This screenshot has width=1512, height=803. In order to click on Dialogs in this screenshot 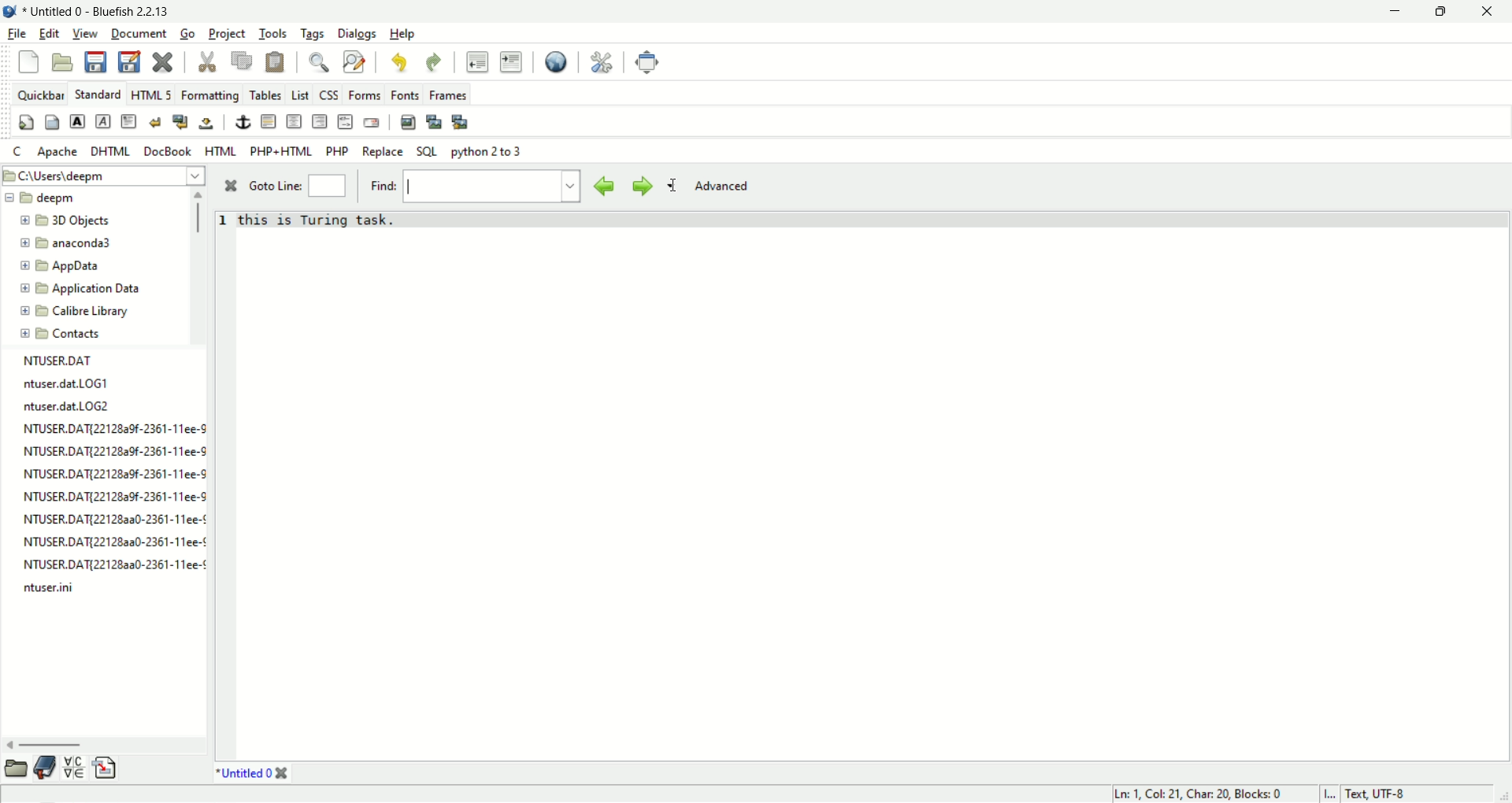, I will do `click(357, 33)`.